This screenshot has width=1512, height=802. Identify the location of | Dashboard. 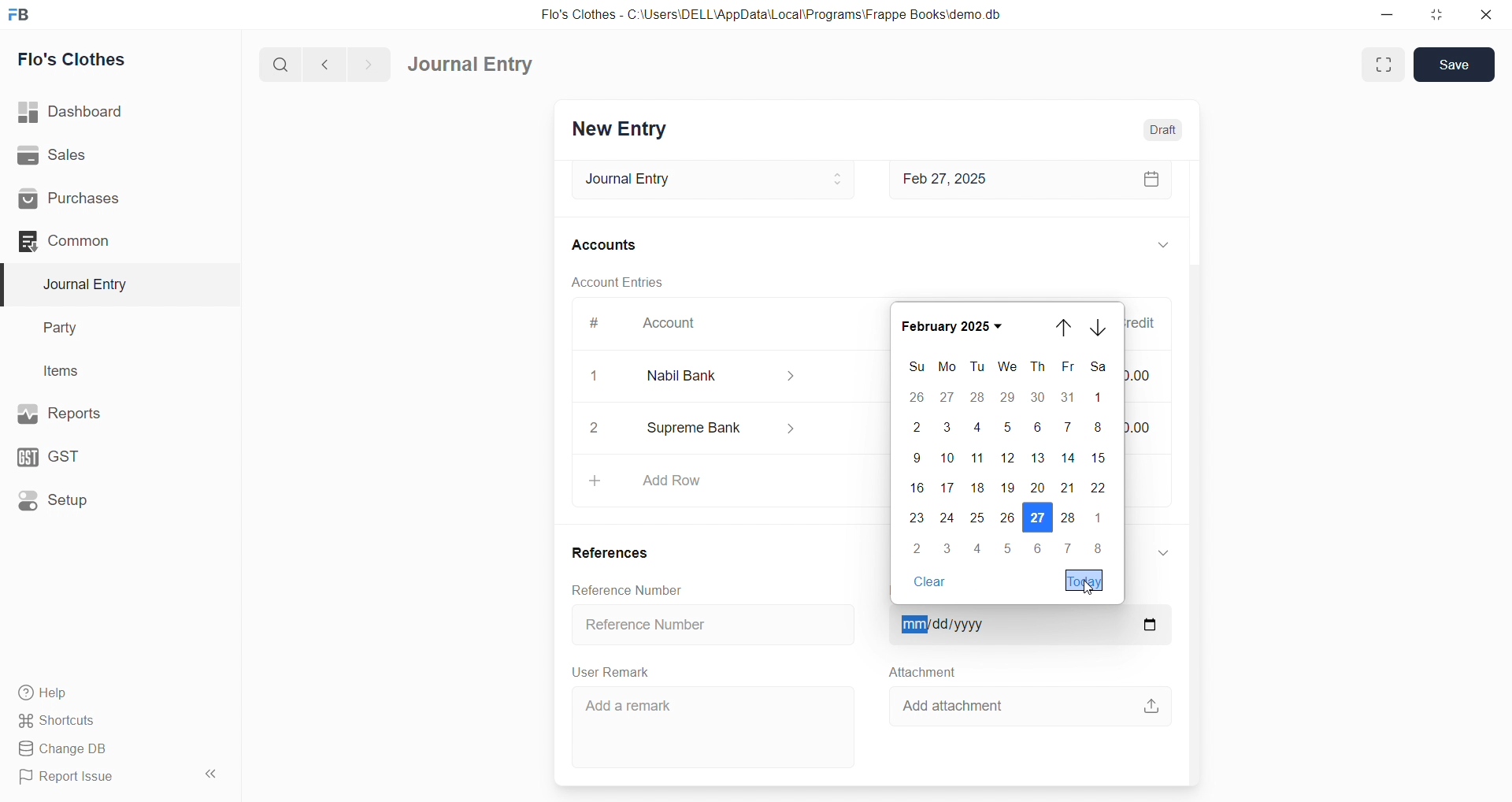
(86, 113).